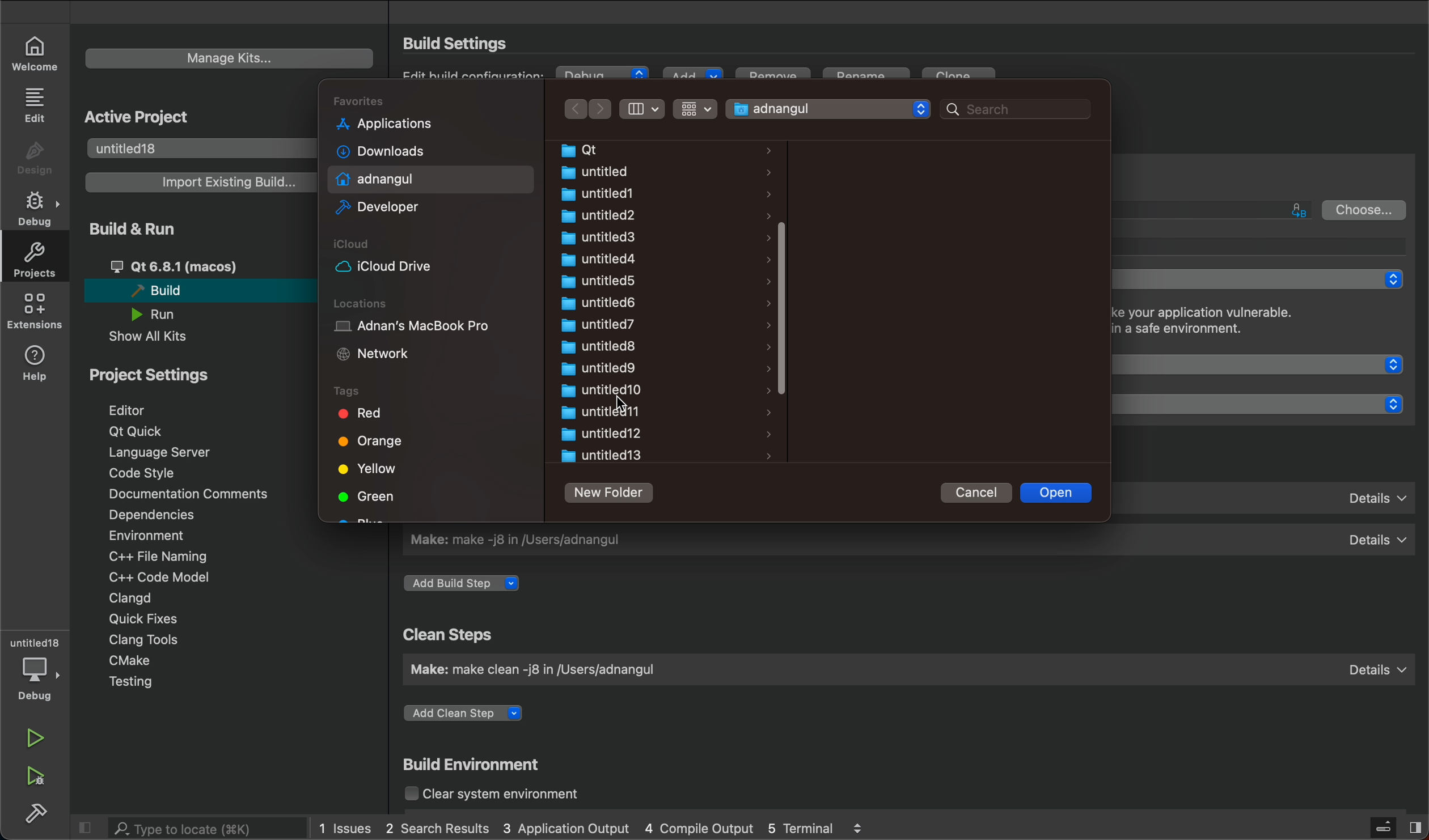 The width and height of the screenshot is (1429, 840). Describe the element at coordinates (35, 638) in the screenshot. I see `untitled` at that location.